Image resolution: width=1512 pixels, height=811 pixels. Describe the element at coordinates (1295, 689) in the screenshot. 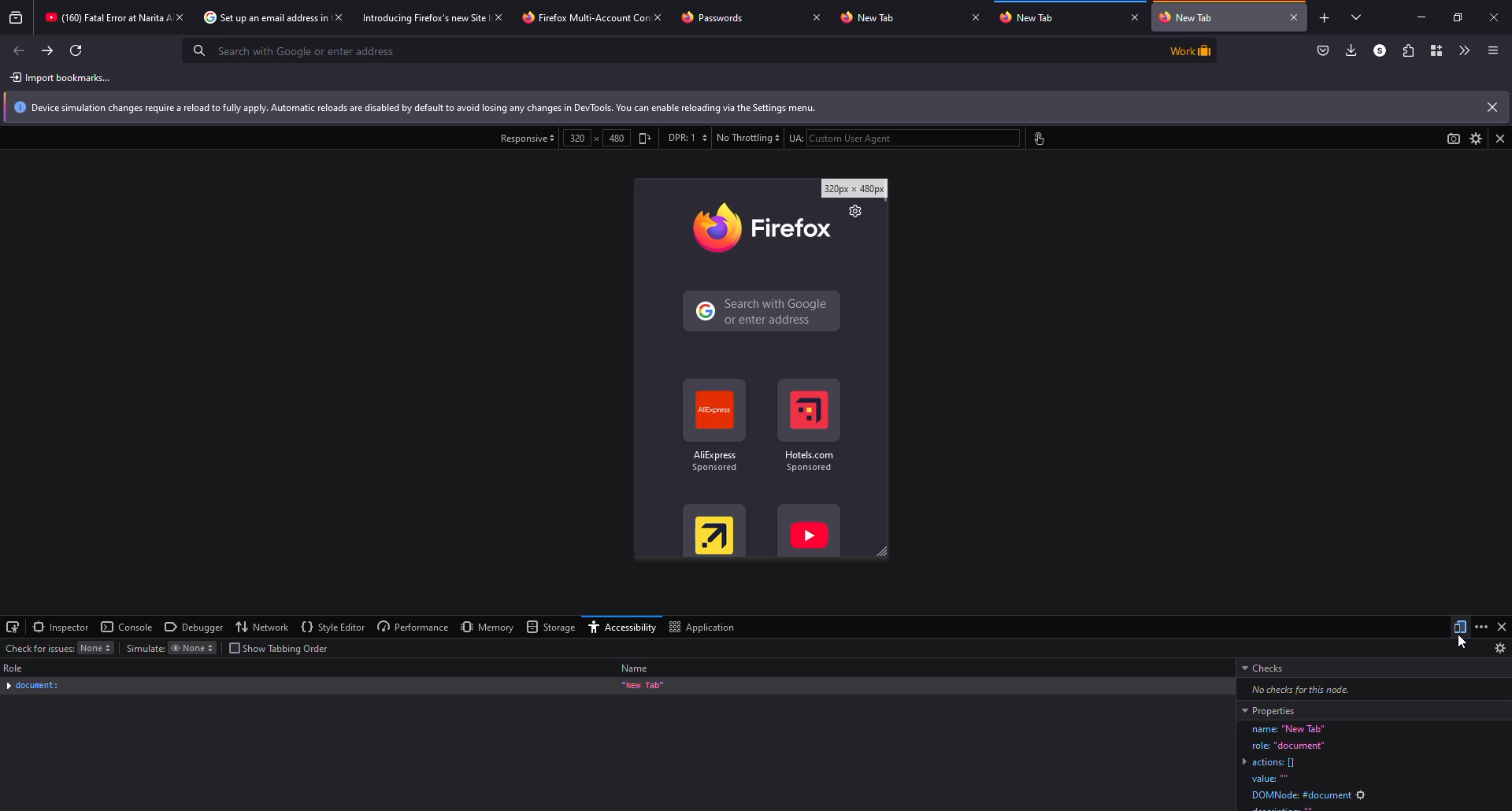

I see `no checks` at that location.